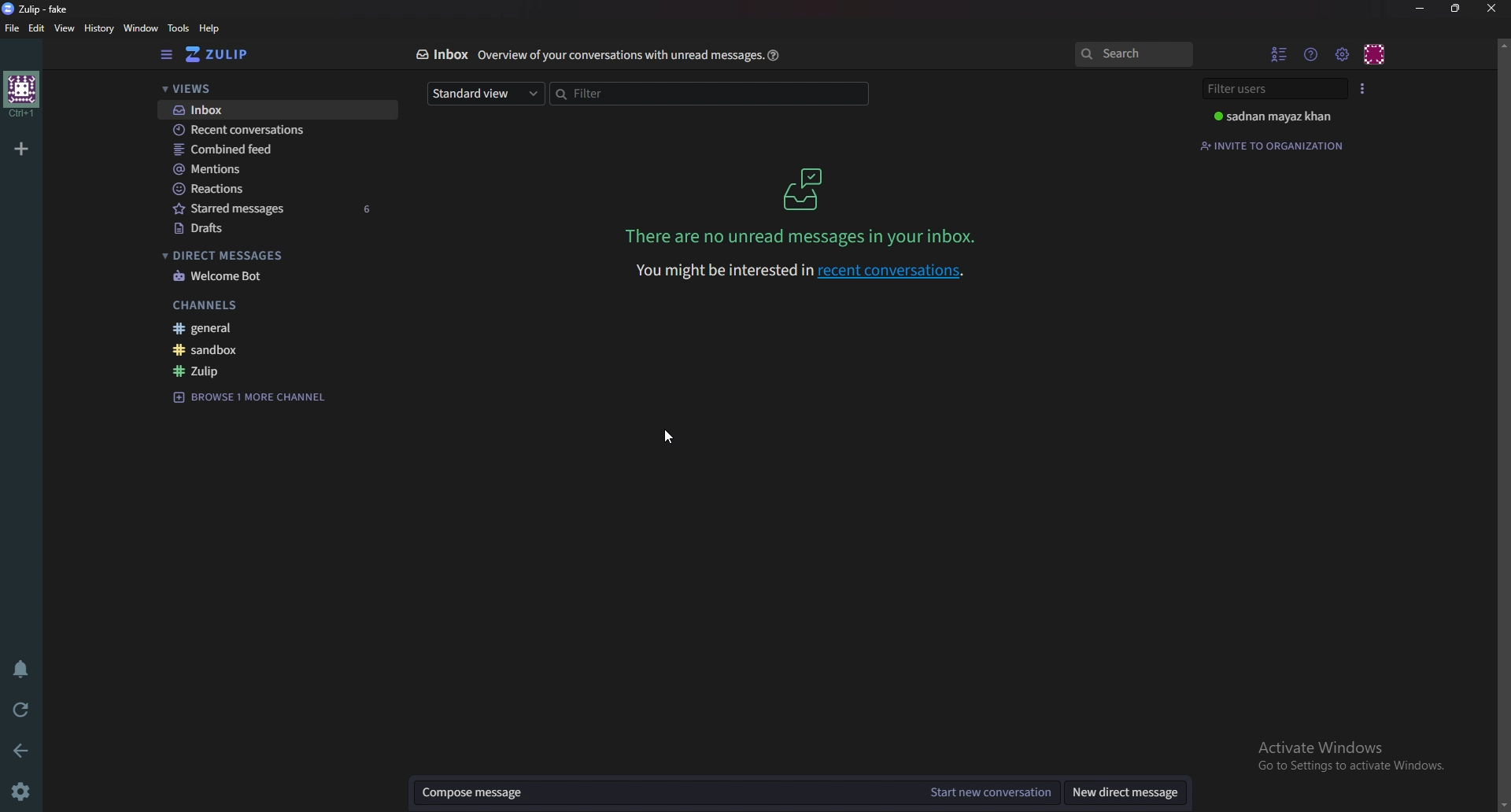  I want to click on History, so click(101, 28).